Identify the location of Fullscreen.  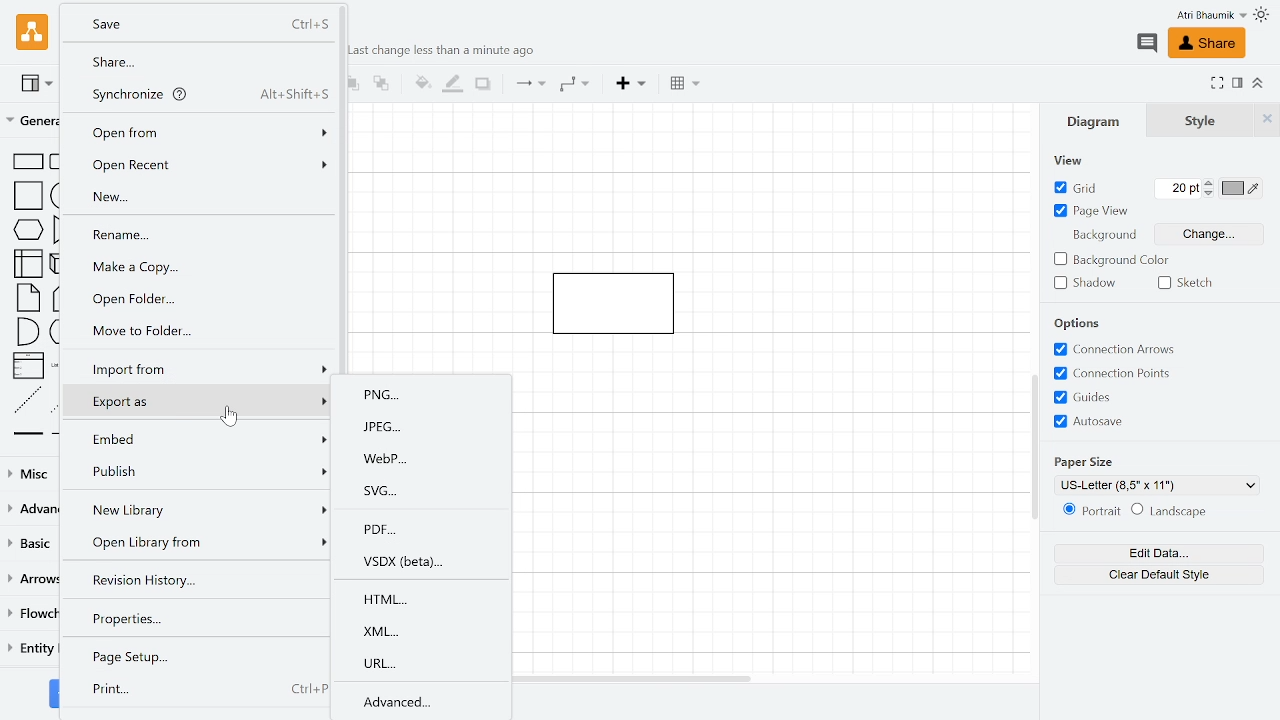
(1216, 83).